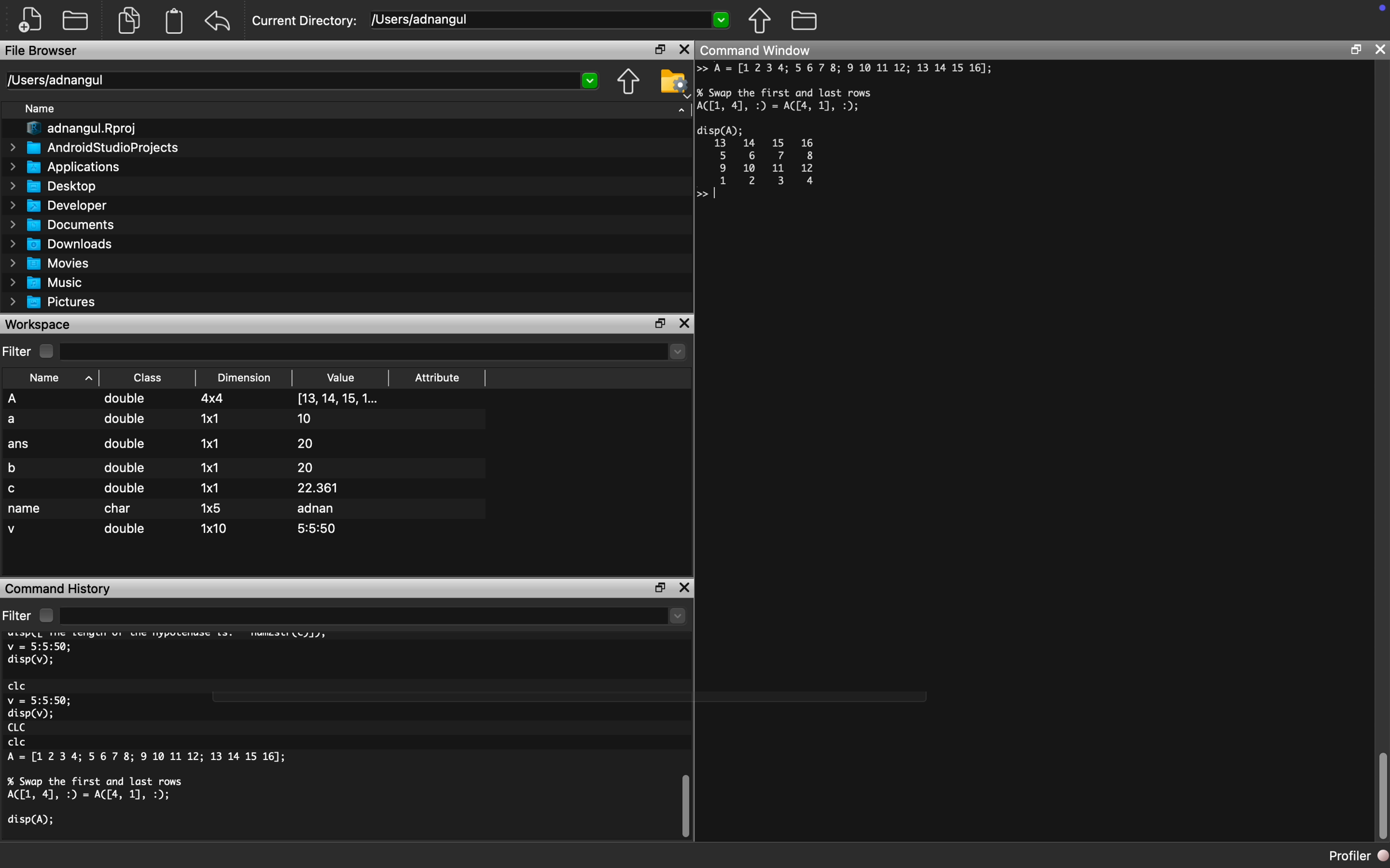  What do you see at coordinates (1356, 49) in the screenshot?
I see `Restore` at bounding box center [1356, 49].